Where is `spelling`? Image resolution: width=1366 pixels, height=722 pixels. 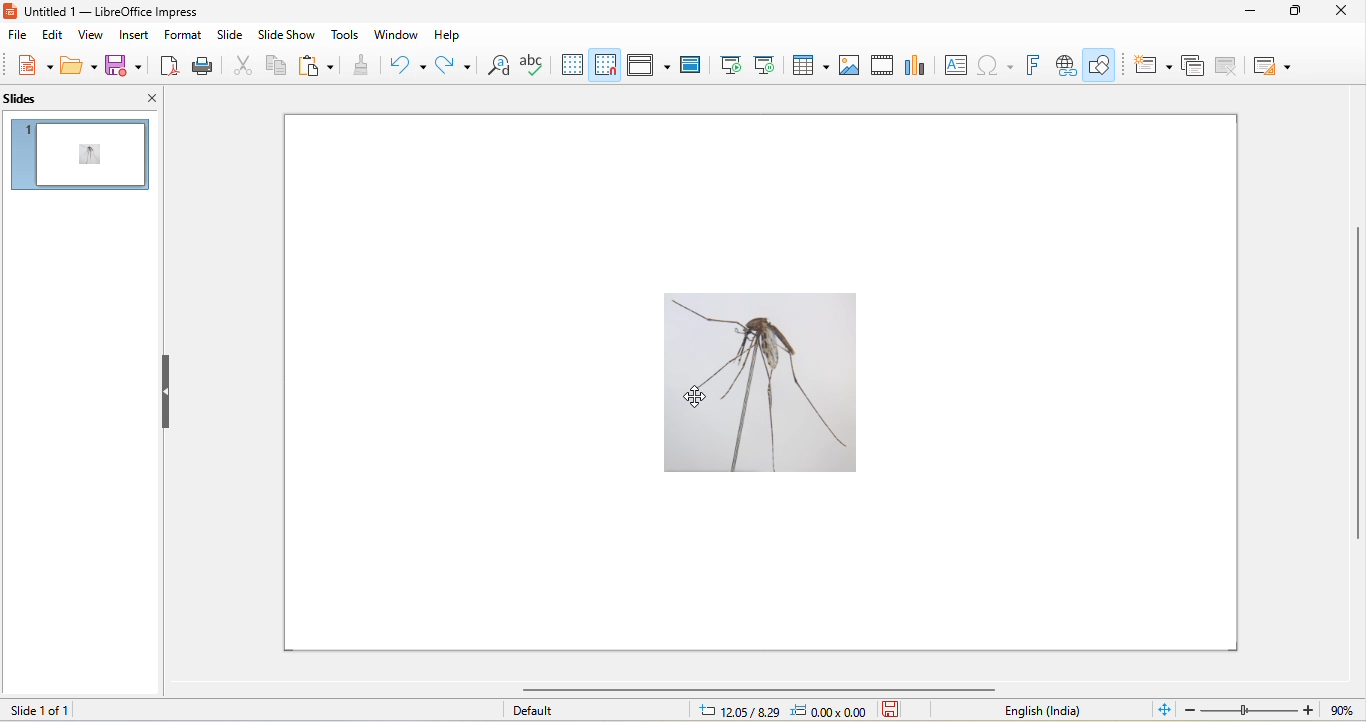 spelling is located at coordinates (532, 64).